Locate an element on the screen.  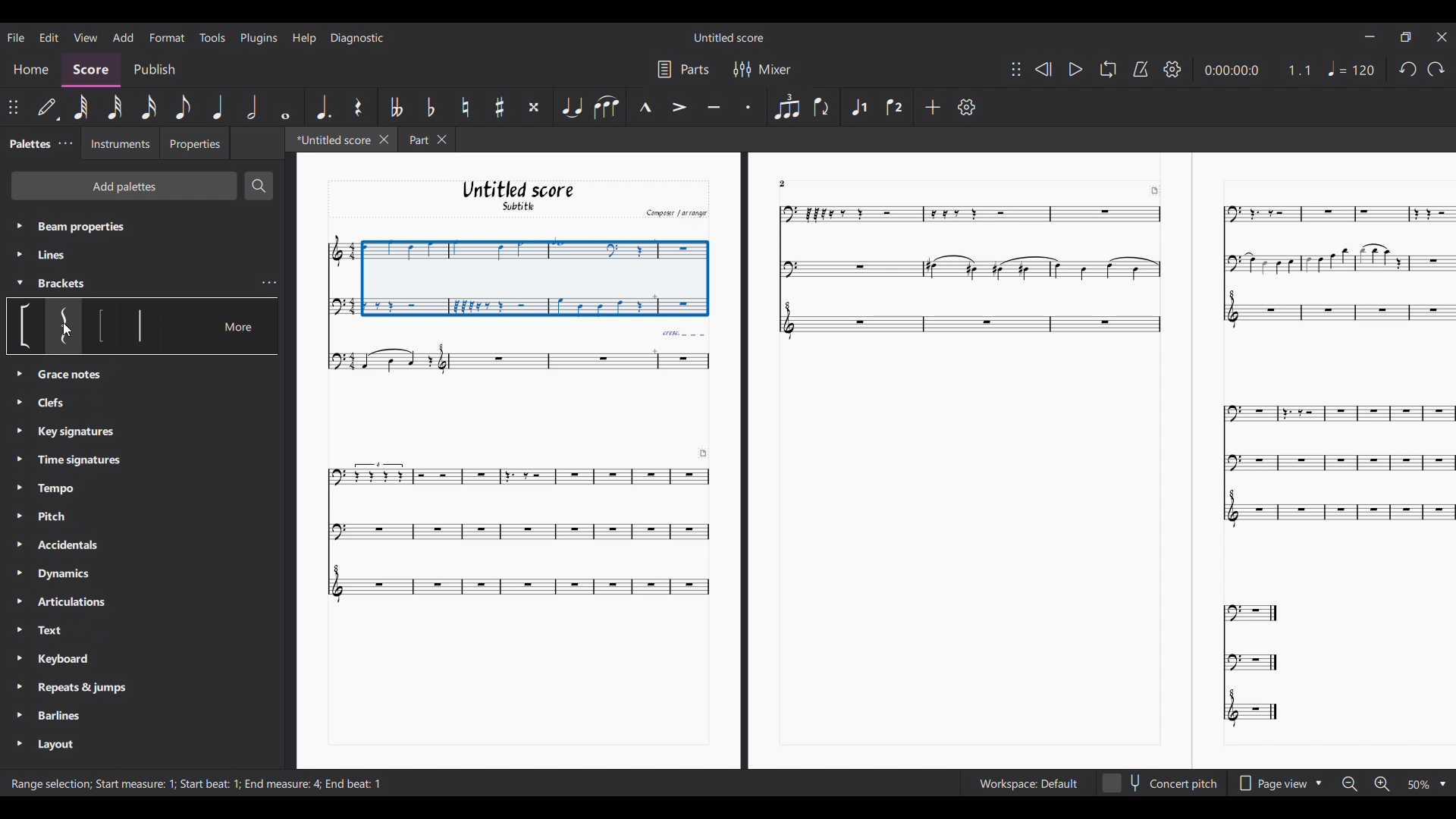
 is located at coordinates (20, 461).